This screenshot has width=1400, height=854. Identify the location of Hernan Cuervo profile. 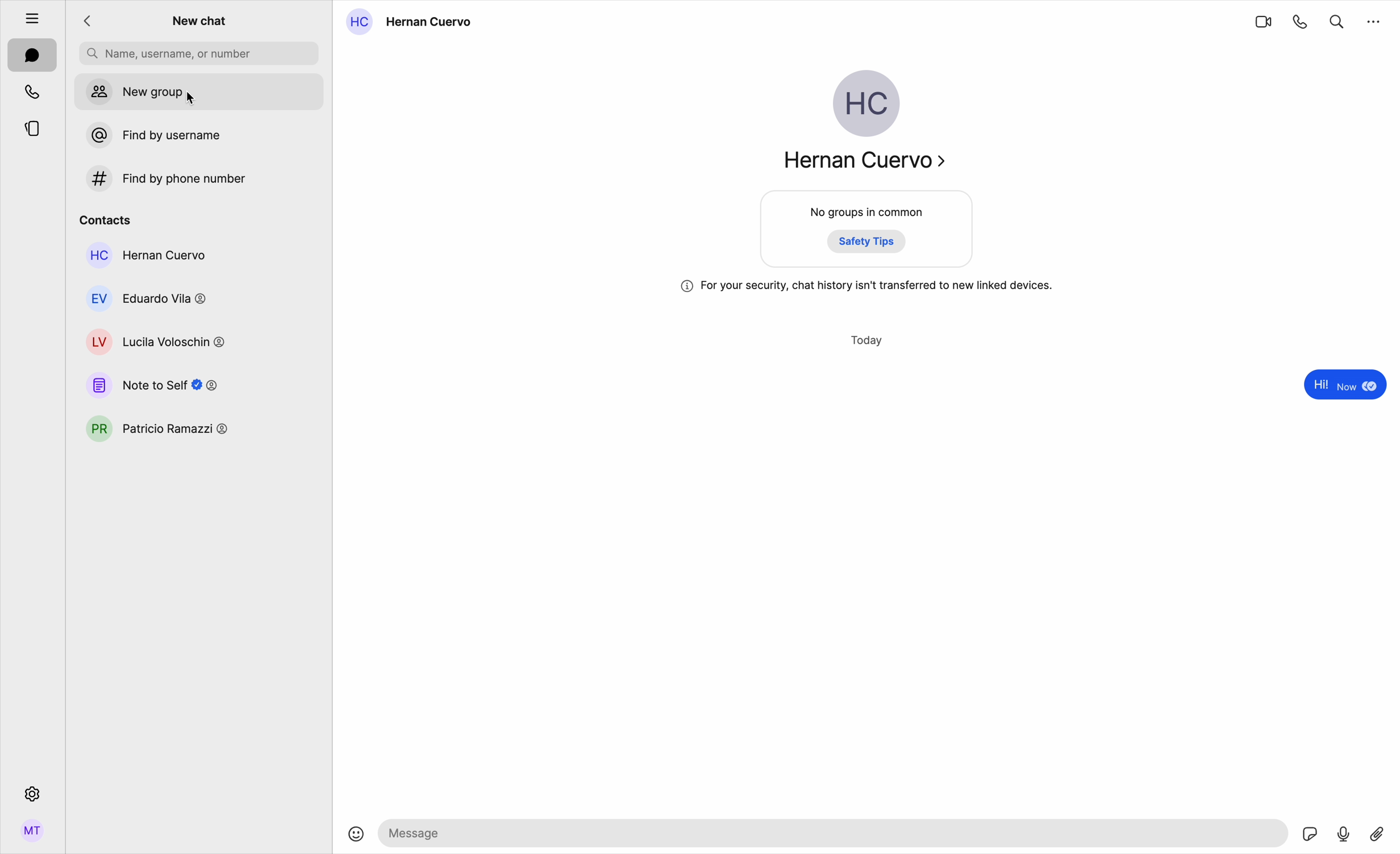
(862, 126).